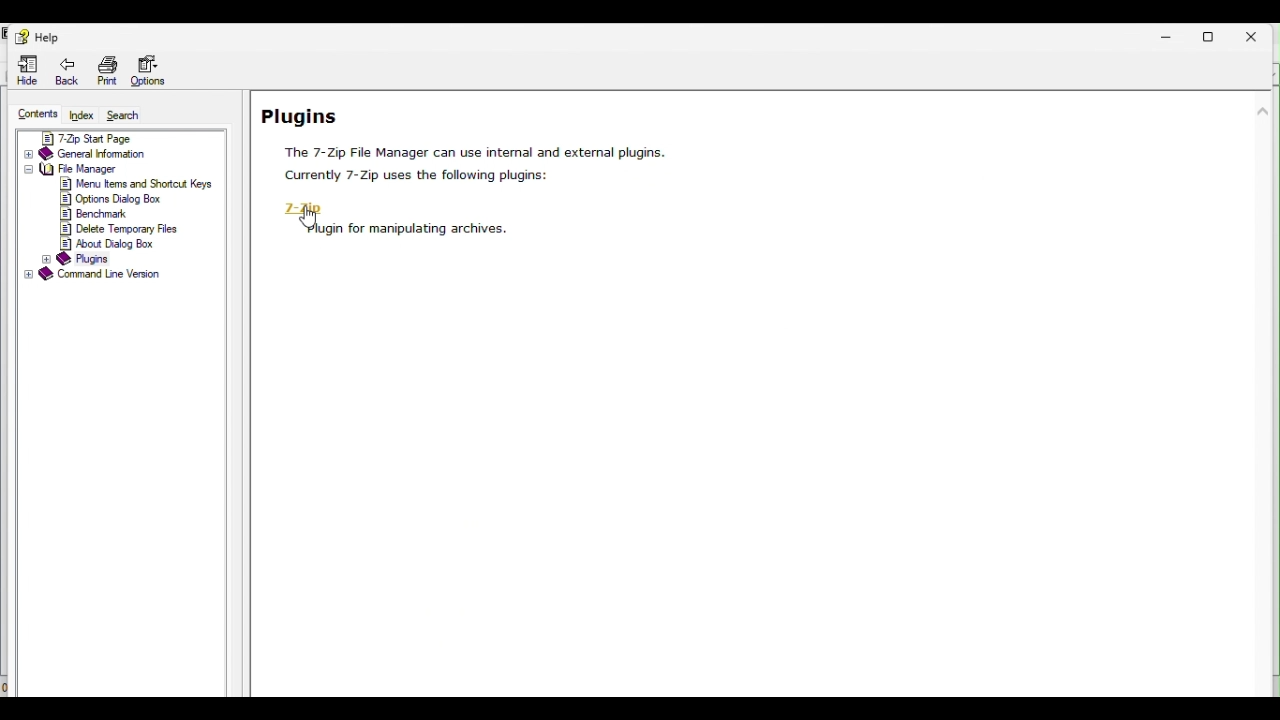 The height and width of the screenshot is (720, 1280). I want to click on plugin, so click(405, 230).